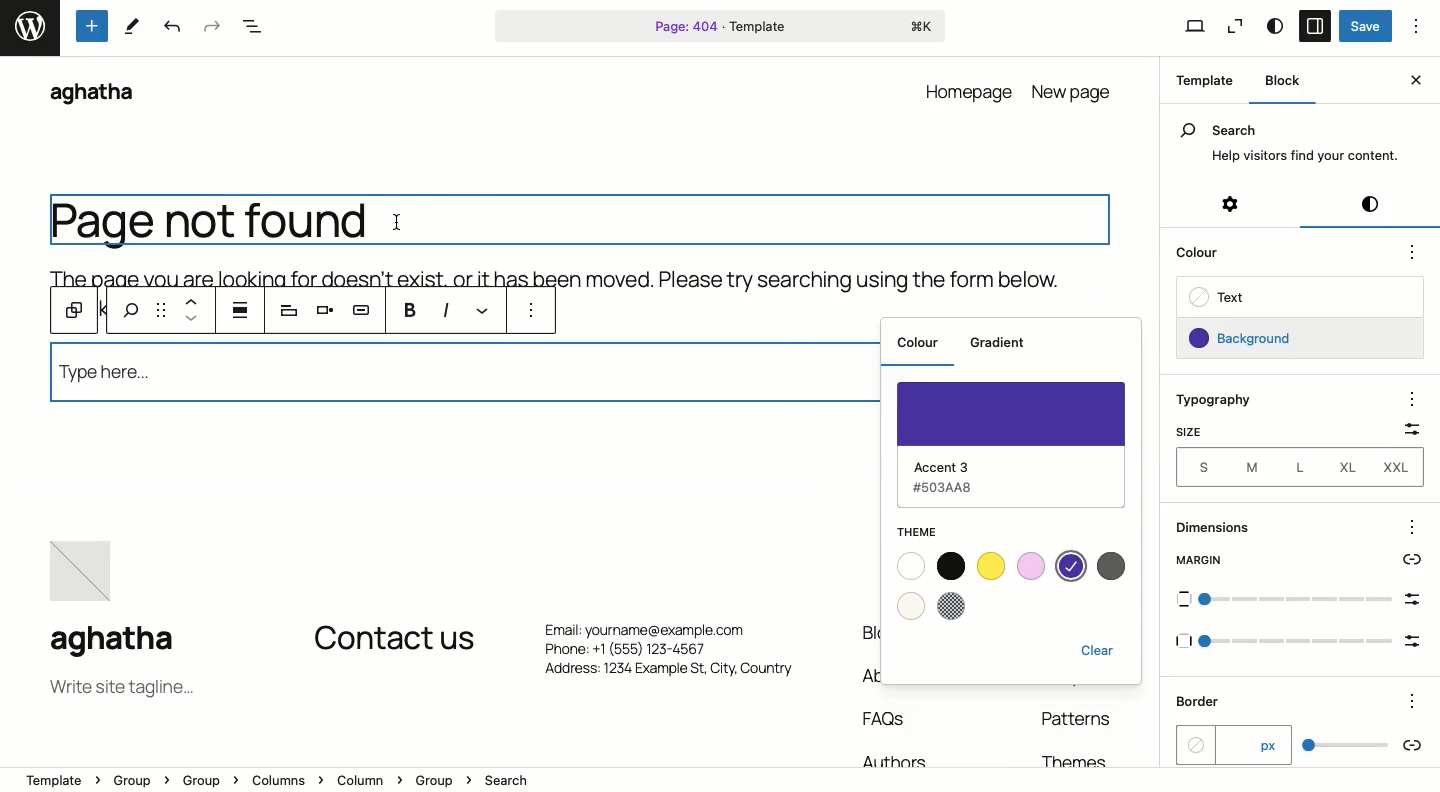 This screenshot has height=792, width=1440. I want to click on XL, so click(1350, 466).